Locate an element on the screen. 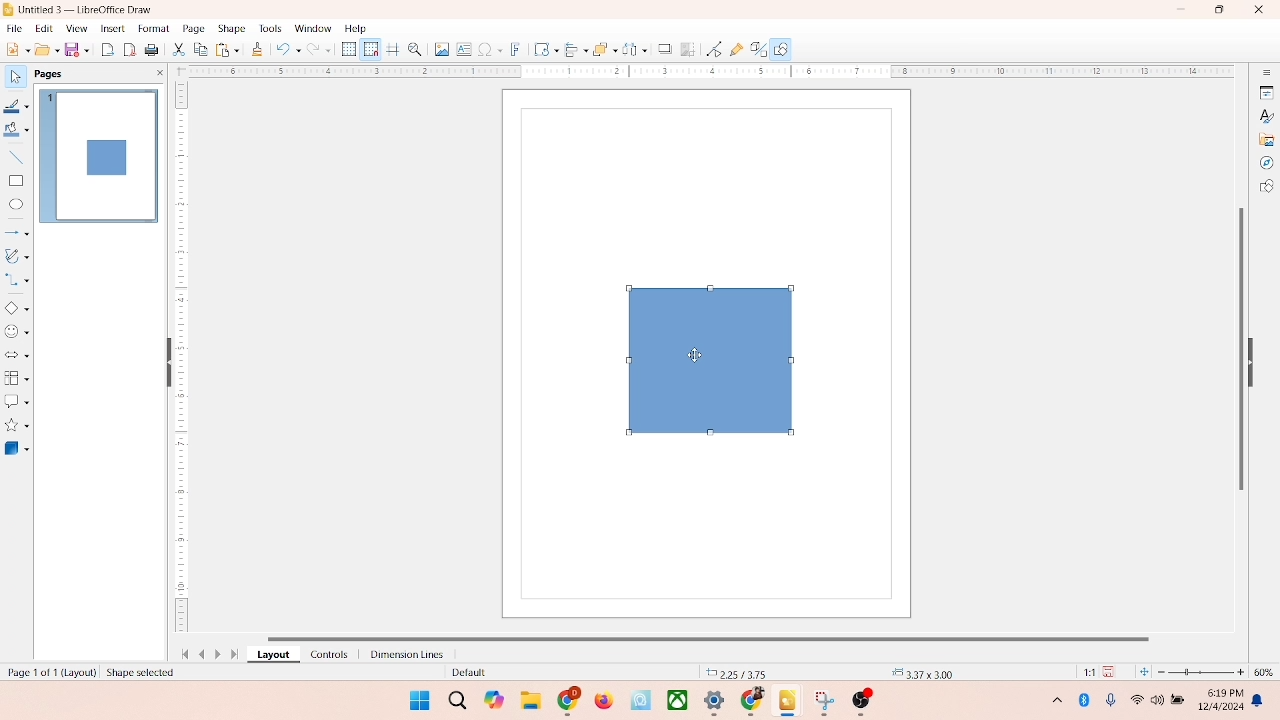 The height and width of the screenshot is (720, 1280). hide is located at coordinates (1256, 359).